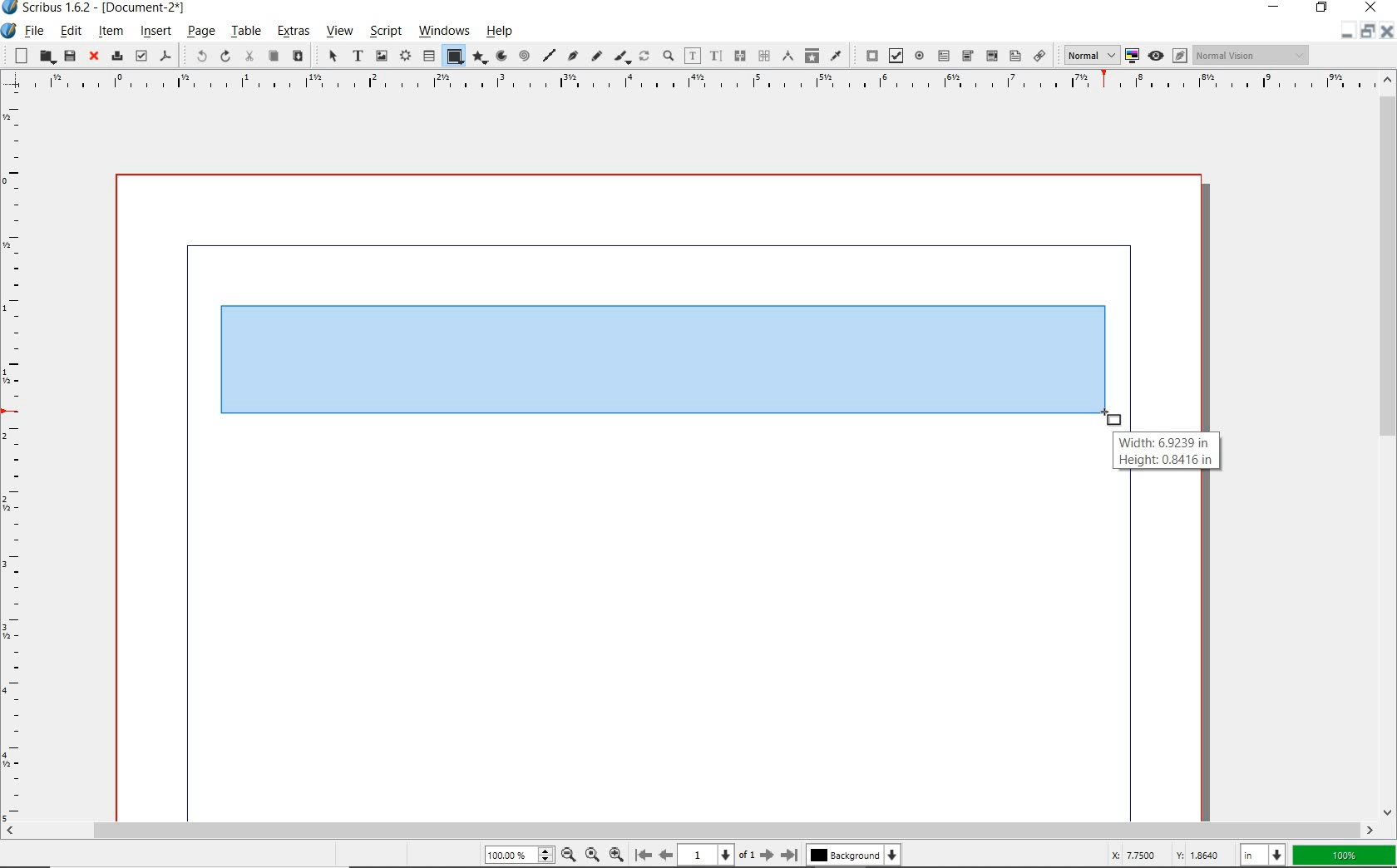 The width and height of the screenshot is (1397, 868). Describe the element at coordinates (196, 57) in the screenshot. I see `undo` at that location.